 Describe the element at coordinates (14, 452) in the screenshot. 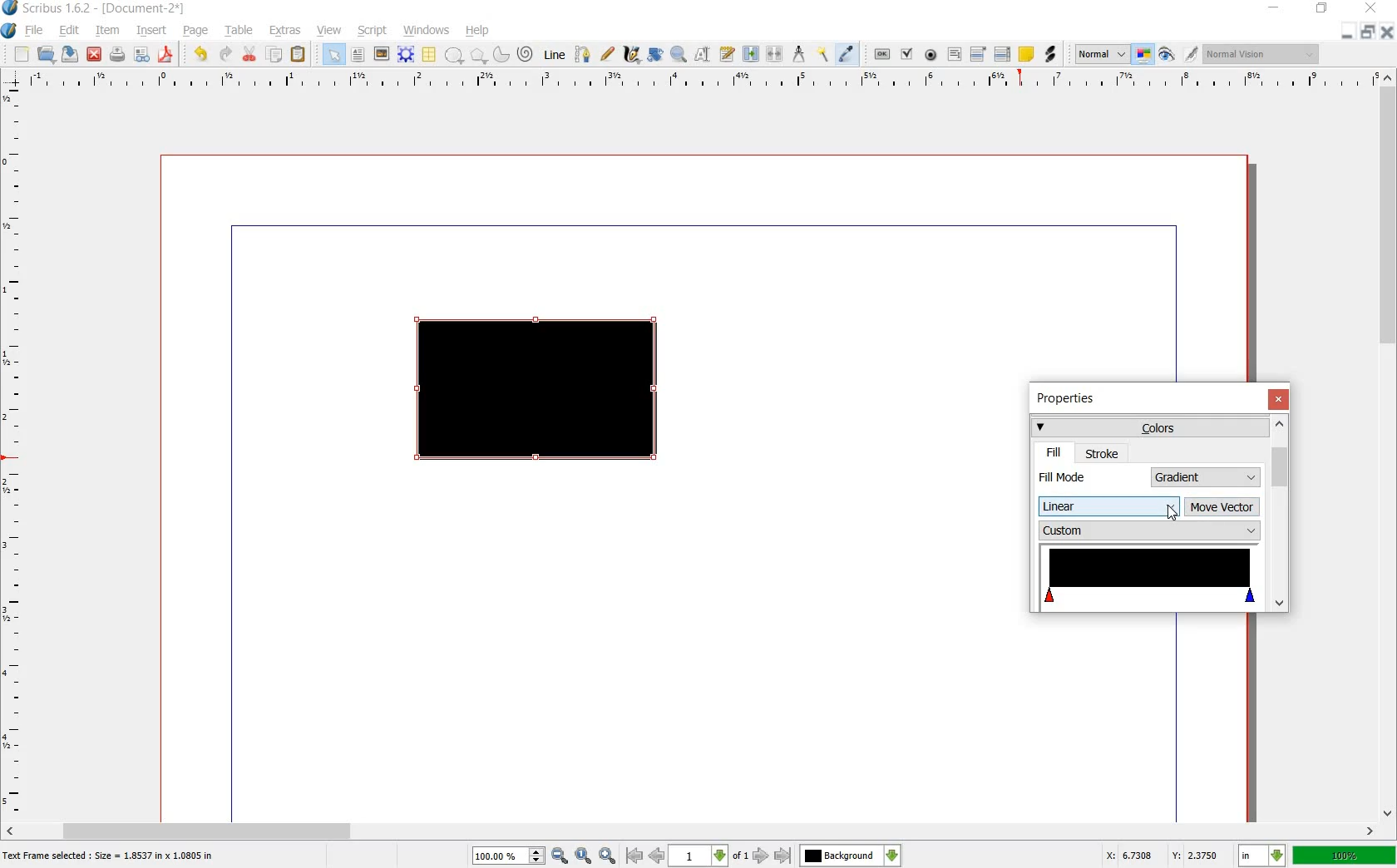

I see `ruler` at that location.